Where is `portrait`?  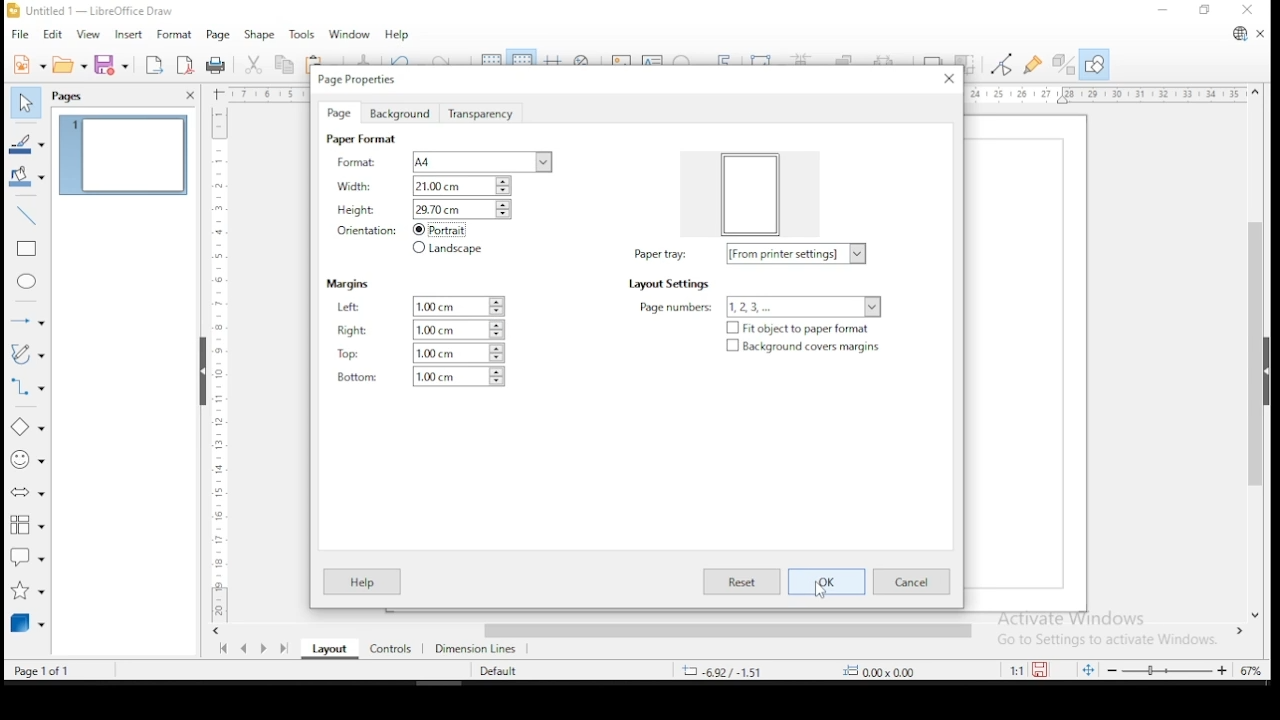
portrait is located at coordinates (444, 230).